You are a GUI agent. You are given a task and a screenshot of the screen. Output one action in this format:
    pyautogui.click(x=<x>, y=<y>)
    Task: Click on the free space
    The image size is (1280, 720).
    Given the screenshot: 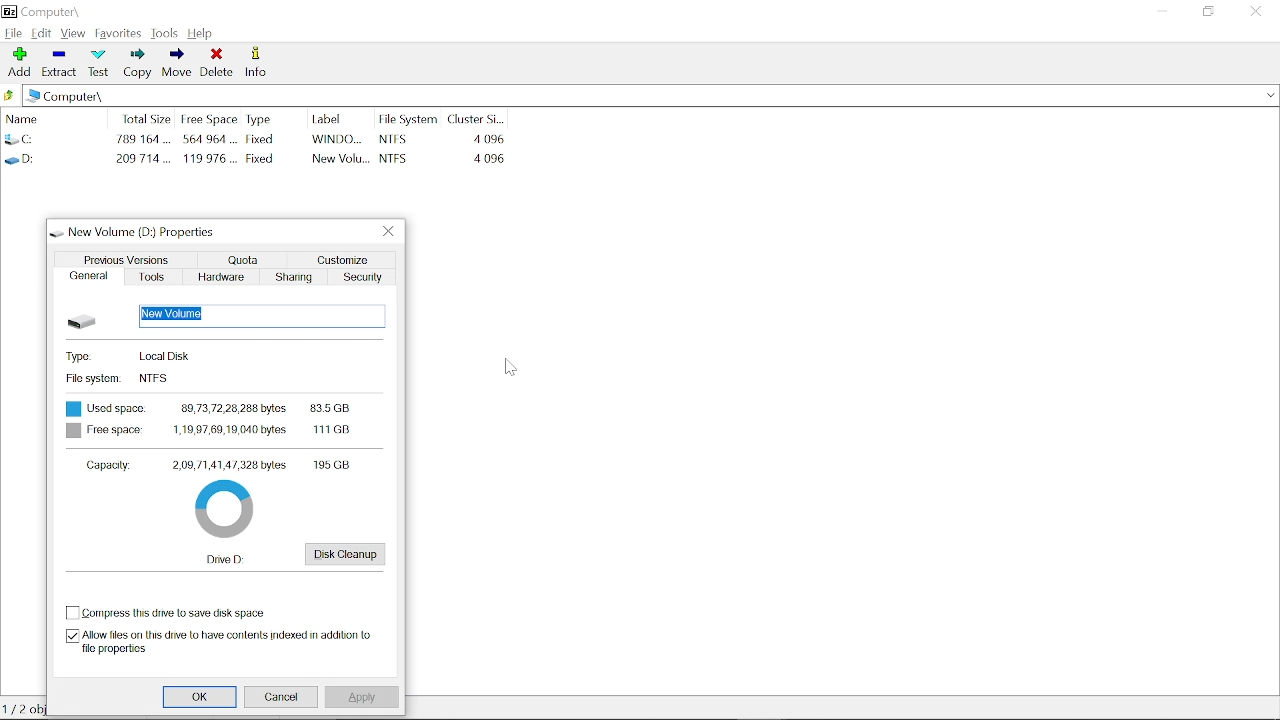 What is the action you would take?
    pyautogui.click(x=207, y=118)
    